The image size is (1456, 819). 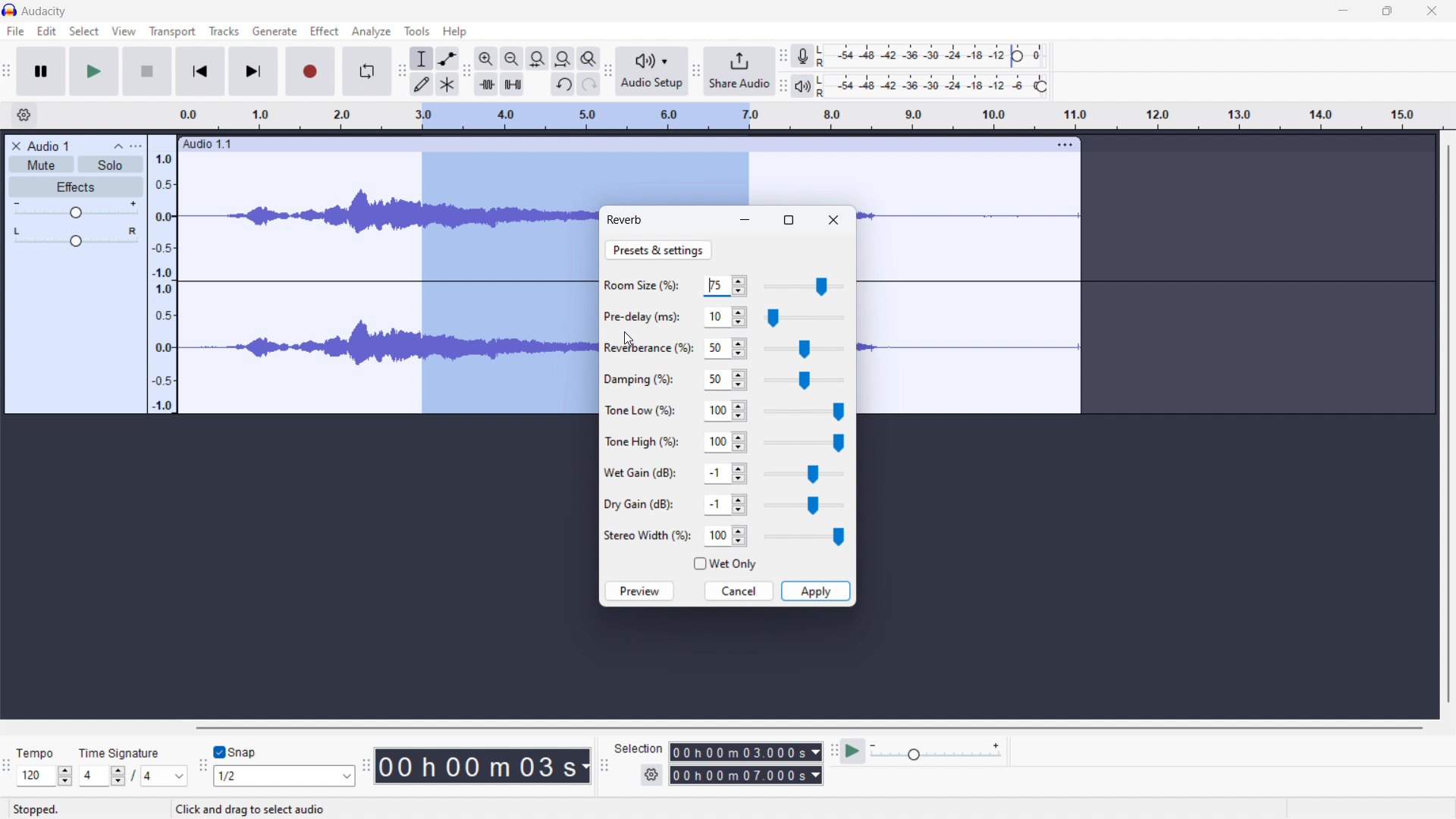 What do you see at coordinates (651, 776) in the screenshot?
I see `settings` at bounding box center [651, 776].